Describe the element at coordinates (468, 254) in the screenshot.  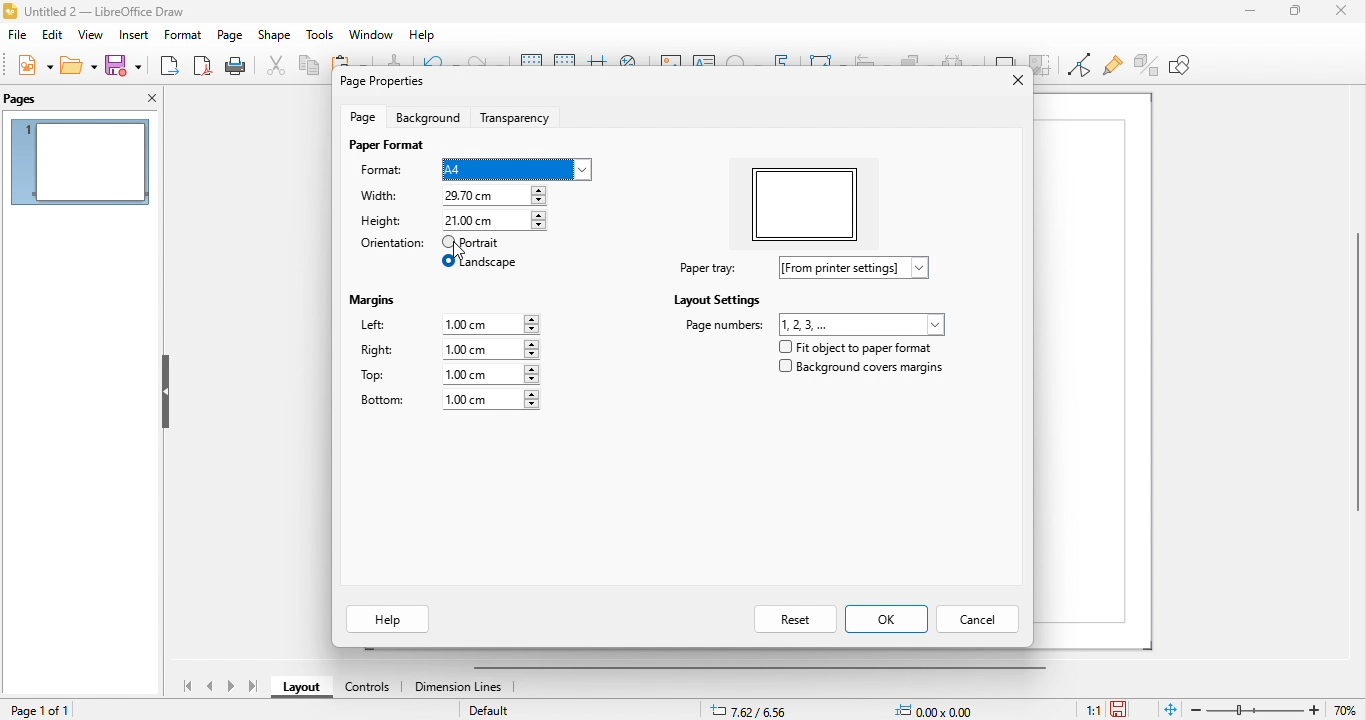
I see `cursor movement` at that location.